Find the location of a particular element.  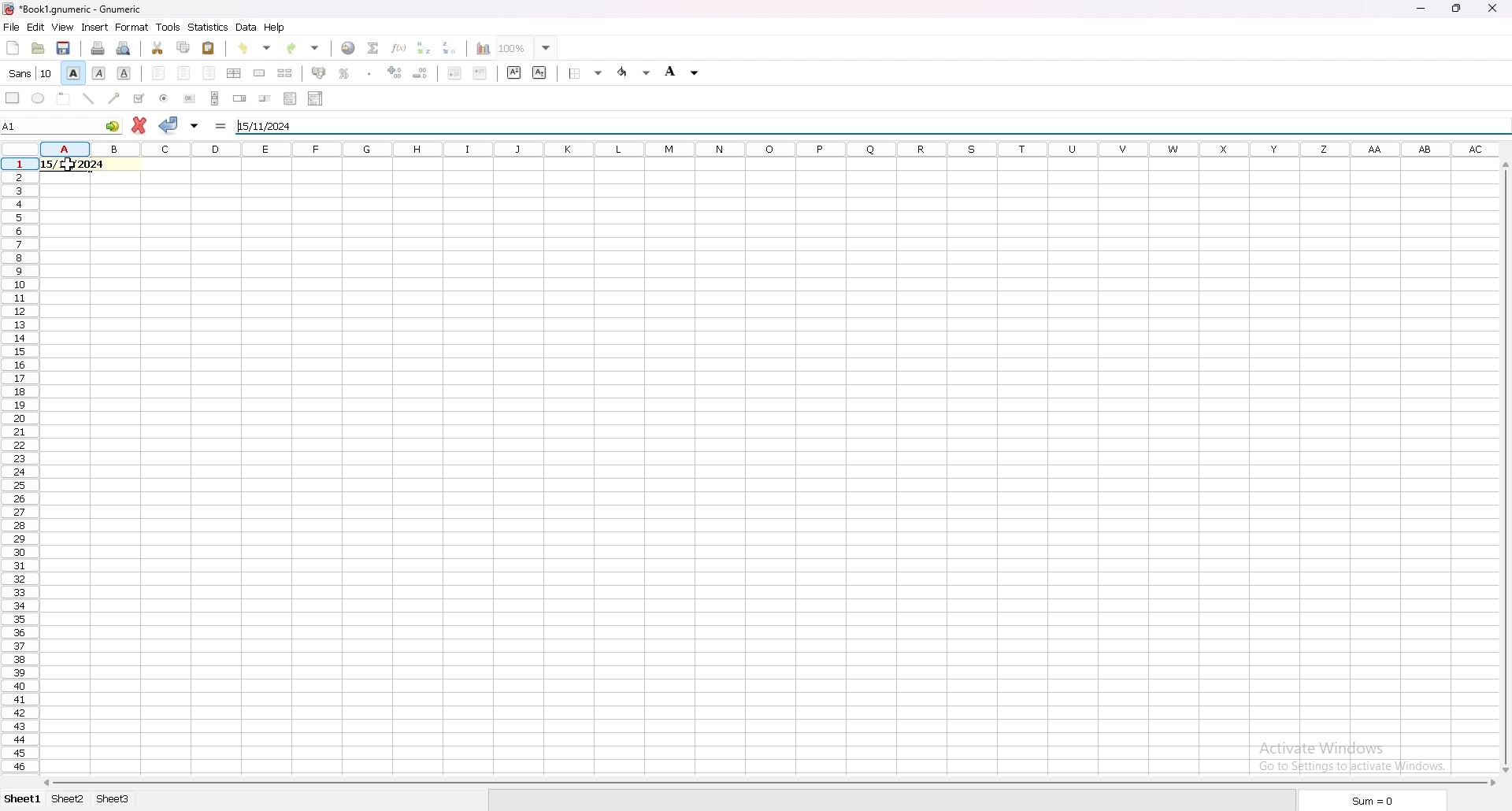

cut is located at coordinates (158, 47).